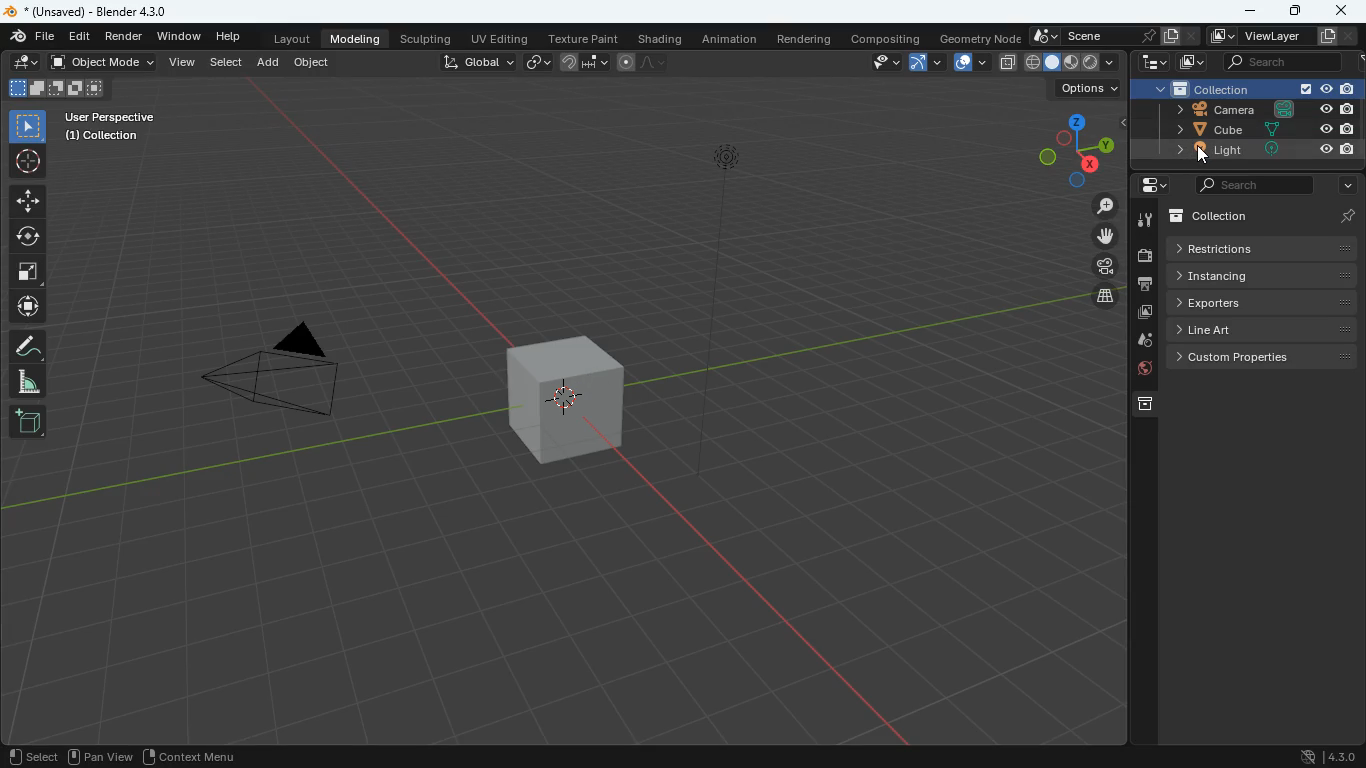 This screenshot has width=1366, height=768. Describe the element at coordinates (26, 273) in the screenshot. I see `square` at that location.